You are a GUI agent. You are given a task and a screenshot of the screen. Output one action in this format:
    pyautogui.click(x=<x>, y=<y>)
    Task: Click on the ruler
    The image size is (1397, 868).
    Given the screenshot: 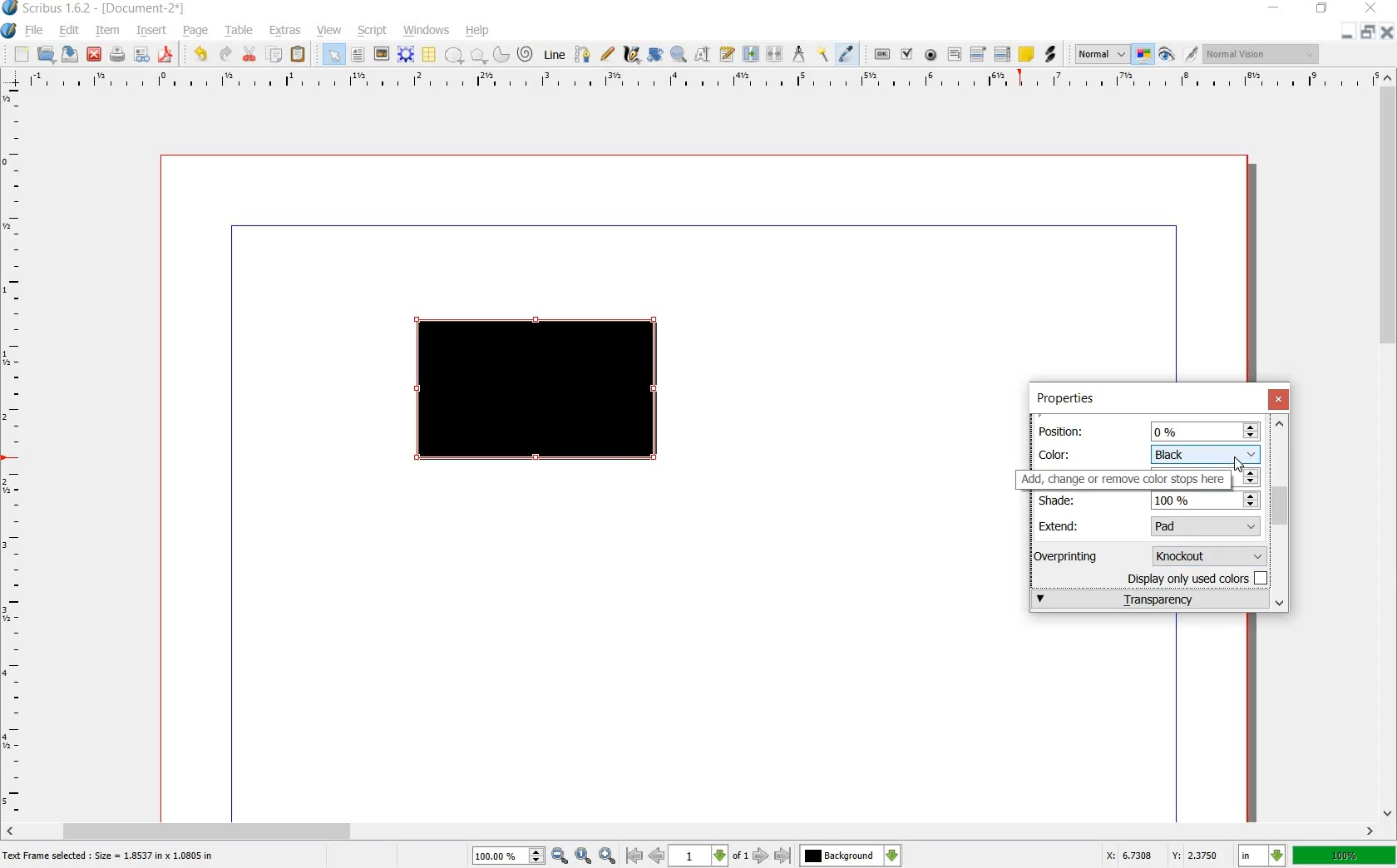 What is the action you would take?
    pyautogui.click(x=14, y=452)
    